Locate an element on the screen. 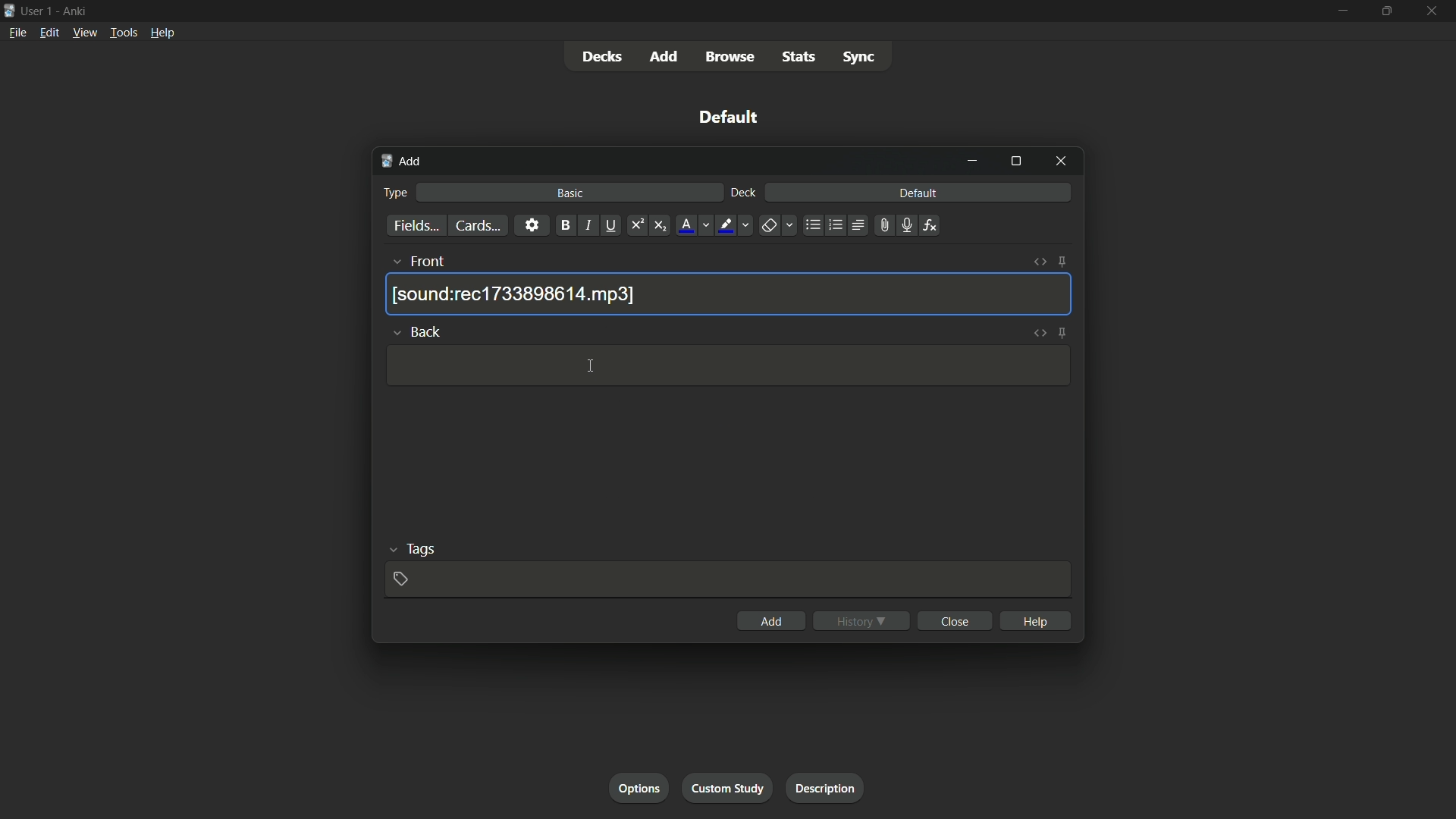  history is located at coordinates (861, 620).